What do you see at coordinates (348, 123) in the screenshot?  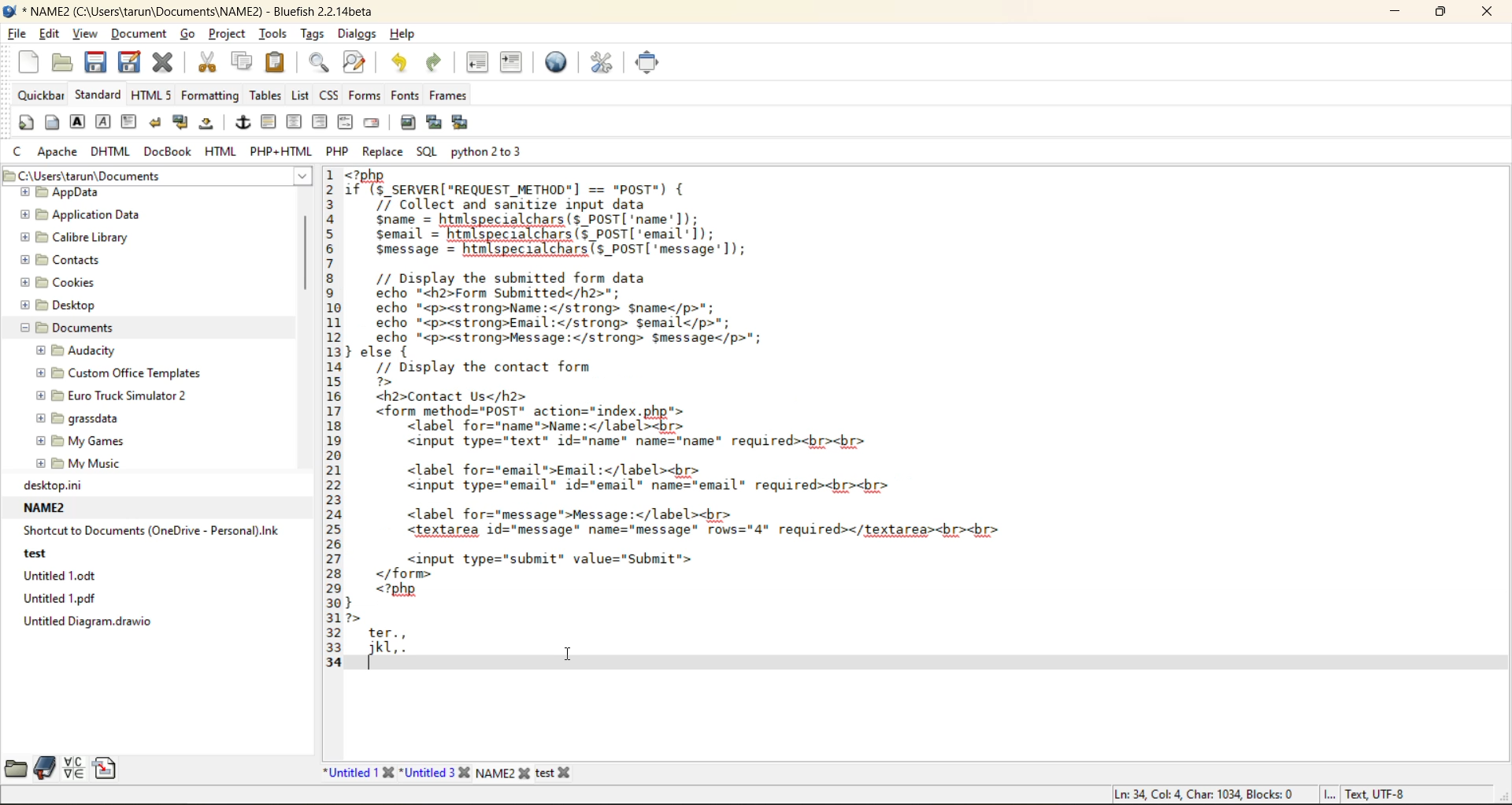 I see `html comment` at bounding box center [348, 123].